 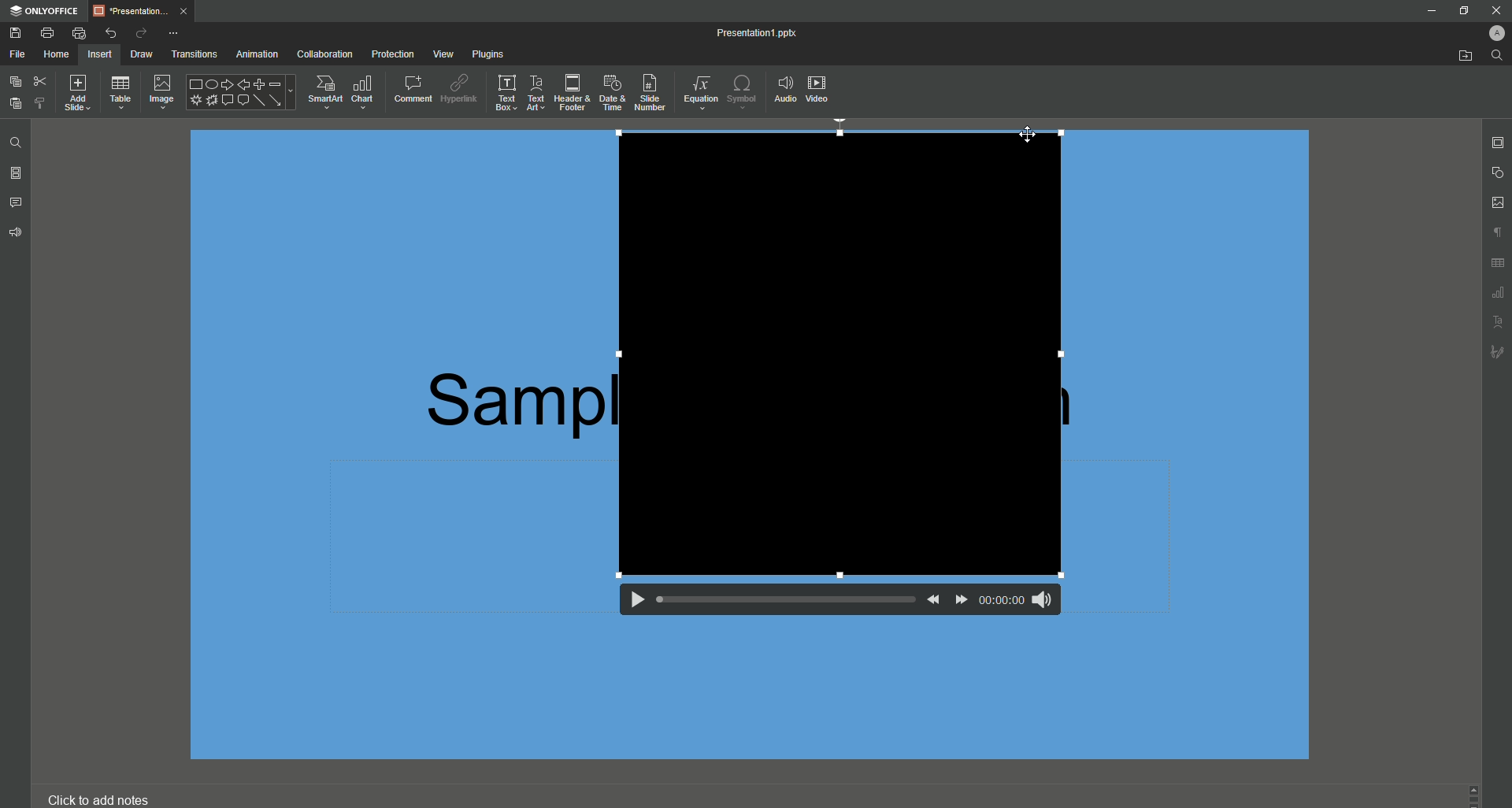 What do you see at coordinates (14, 32) in the screenshot?
I see `Save` at bounding box center [14, 32].